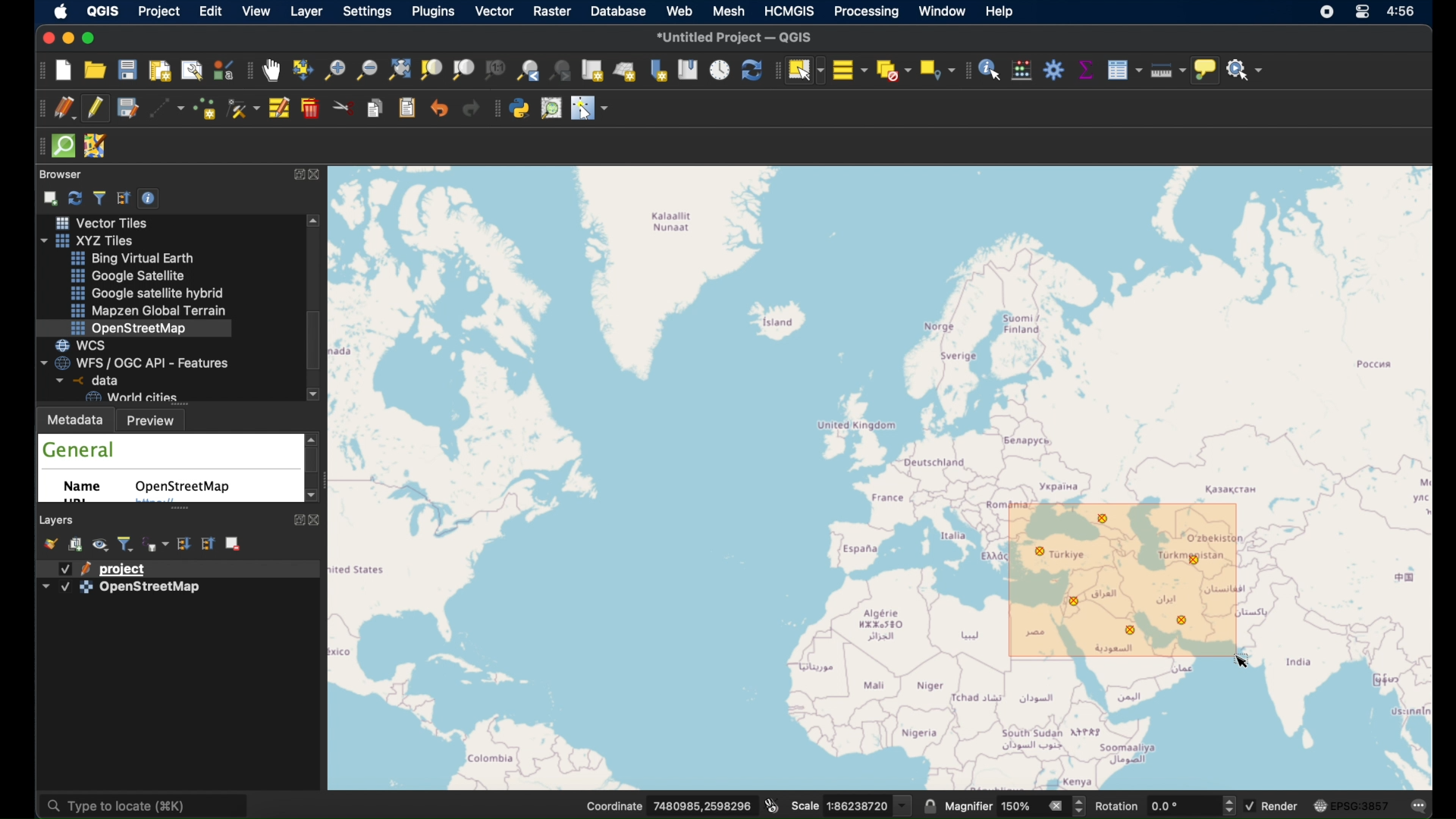  What do you see at coordinates (84, 380) in the screenshot?
I see `data` at bounding box center [84, 380].